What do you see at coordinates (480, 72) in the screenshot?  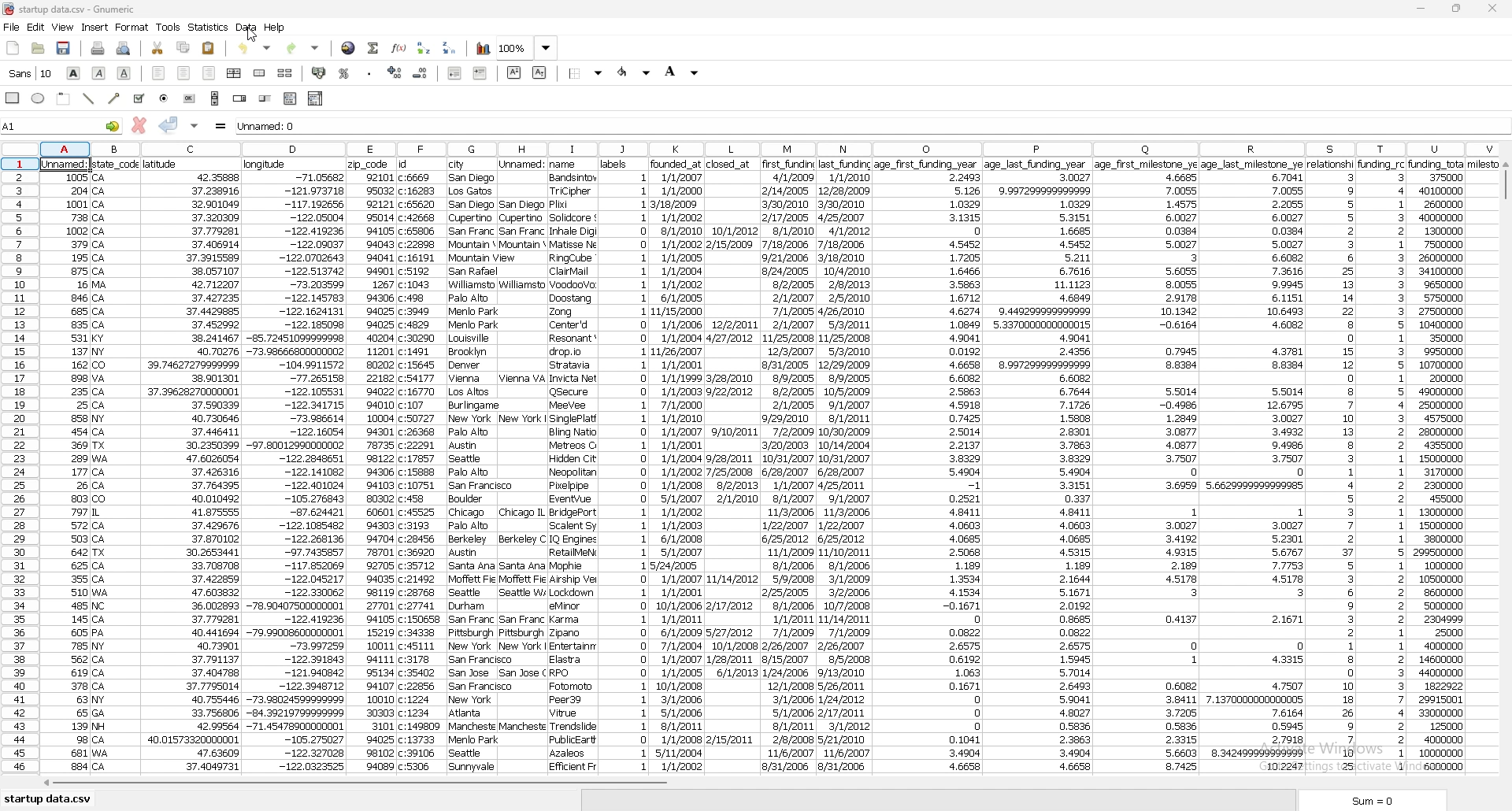 I see `increase indent` at bounding box center [480, 72].